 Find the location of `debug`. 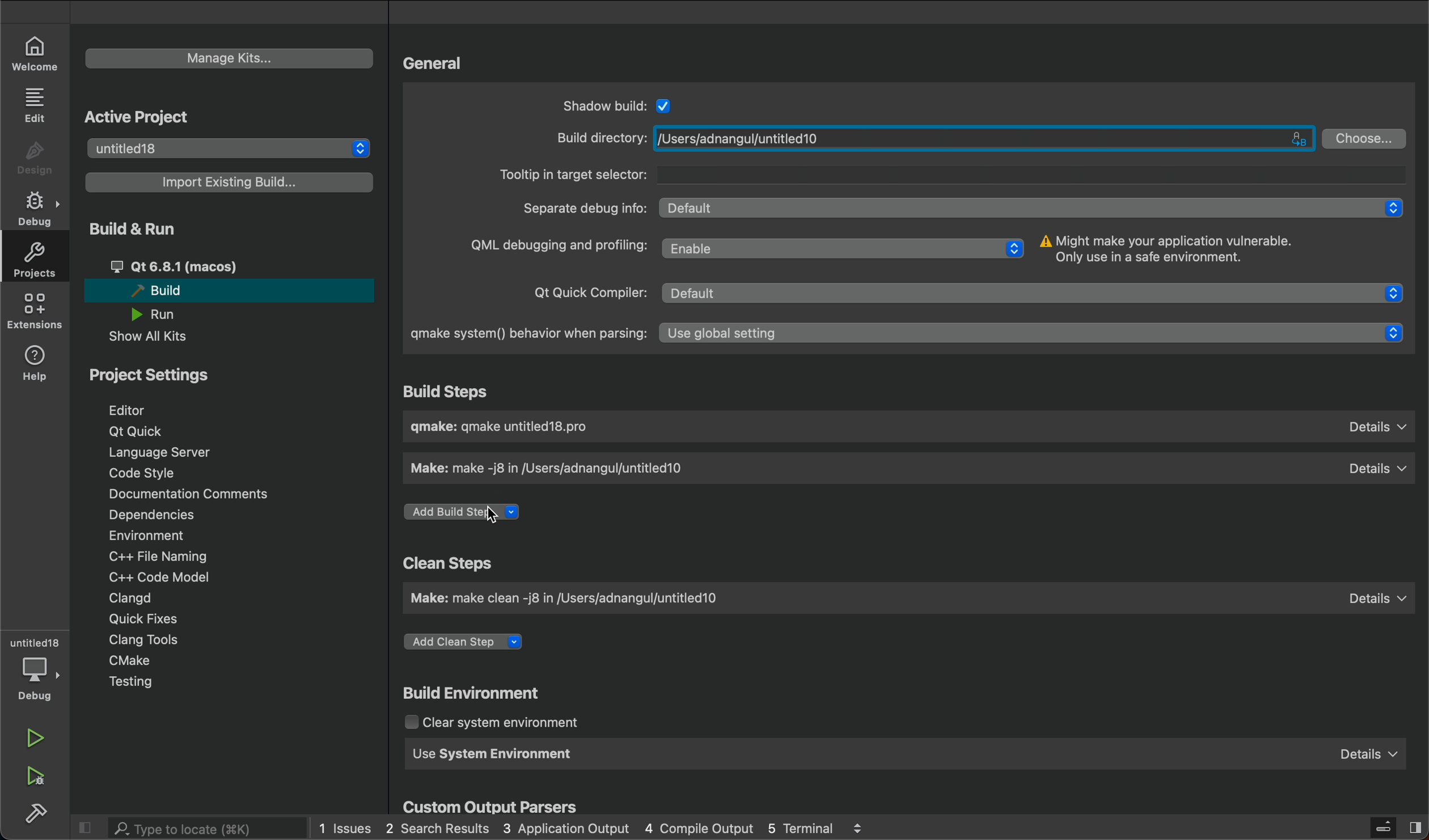

debug is located at coordinates (34, 683).